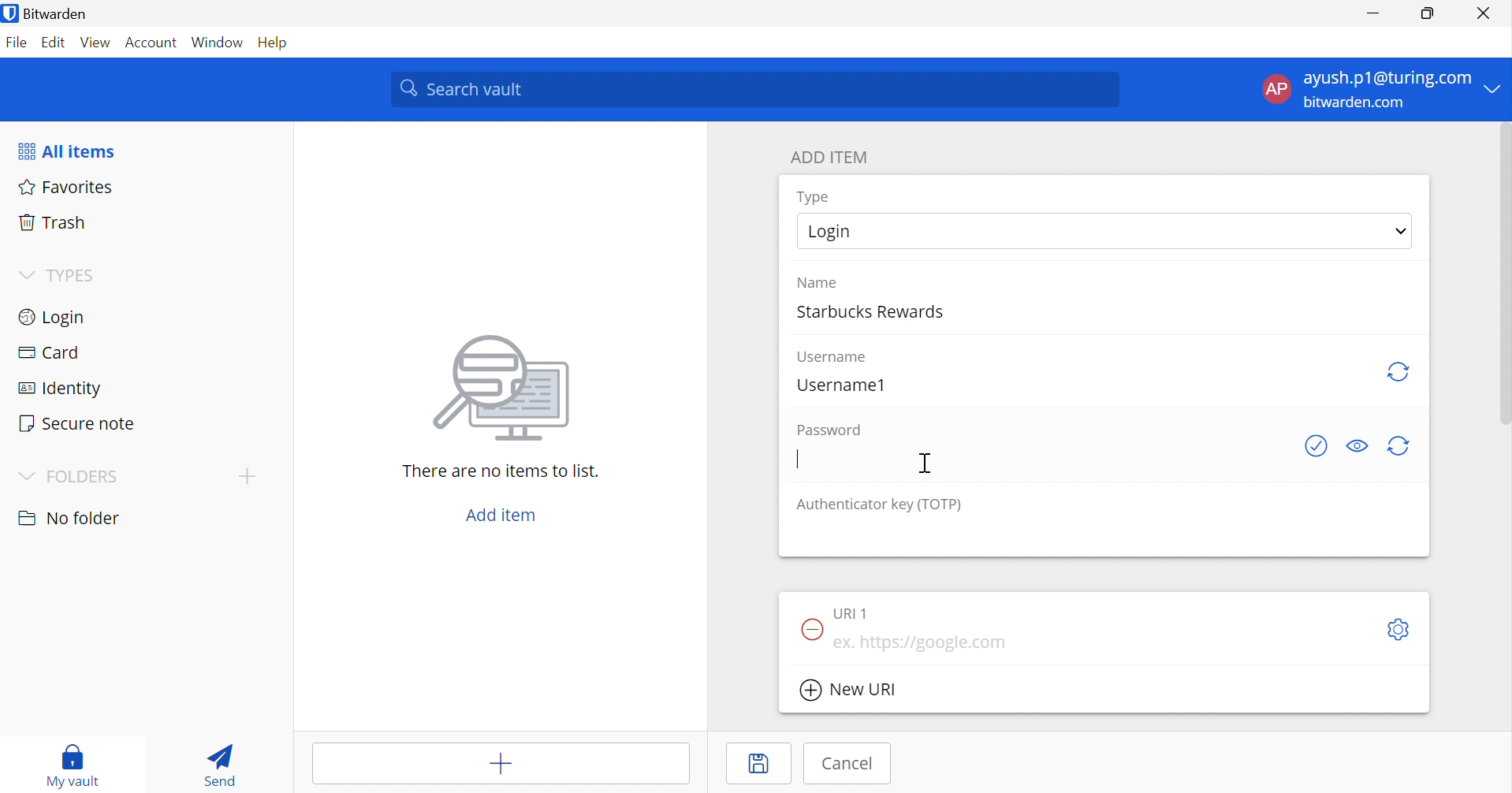 The width and height of the screenshot is (1512, 793). Describe the element at coordinates (817, 281) in the screenshot. I see `Name` at that location.